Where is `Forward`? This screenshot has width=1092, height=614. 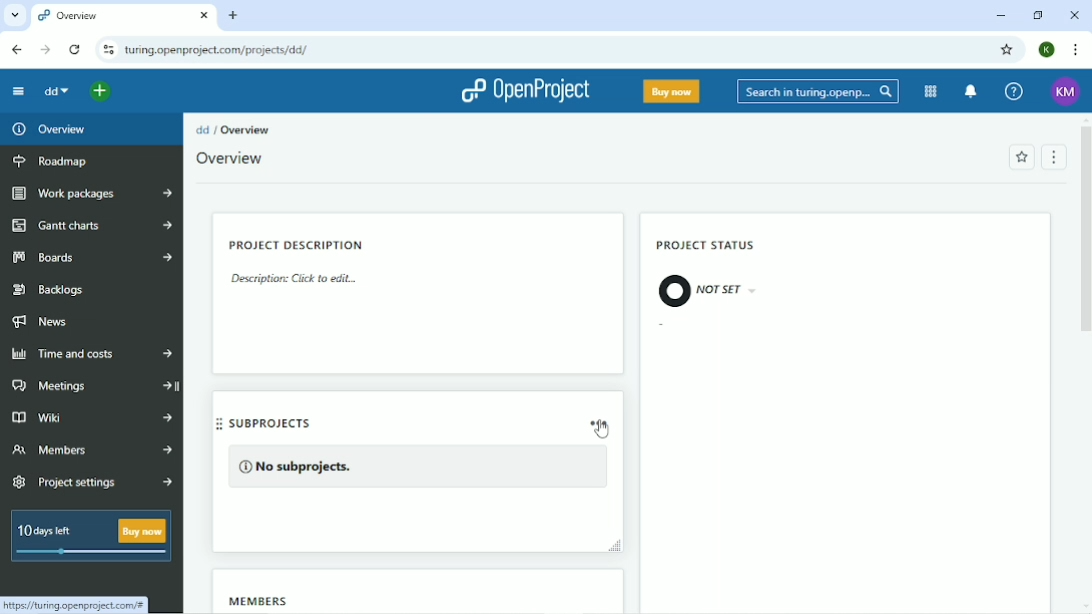 Forward is located at coordinates (44, 50).